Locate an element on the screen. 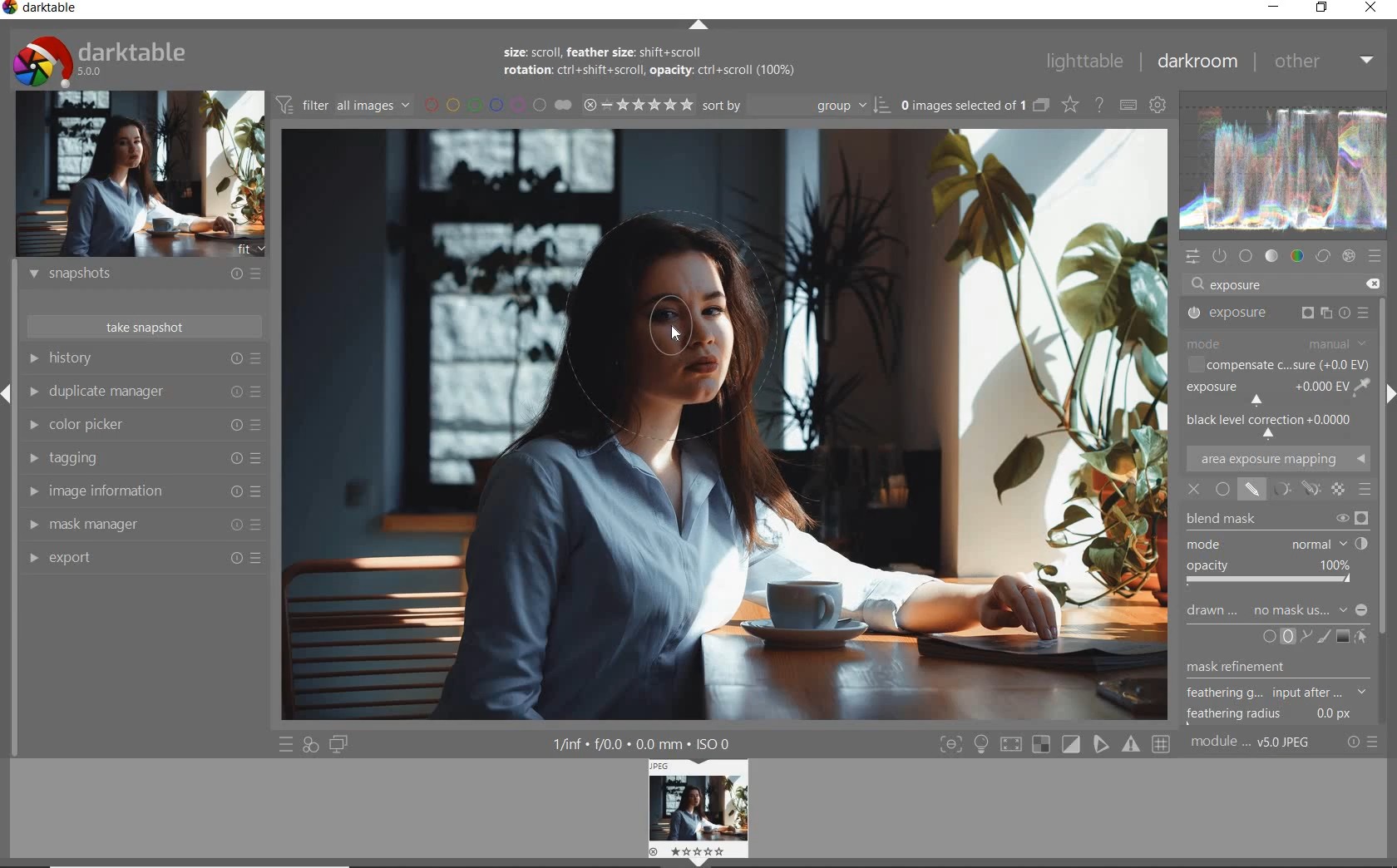 The height and width of the screenshot is (868, 1397). display a second darkroom image below is located at coordinates (339, 745).